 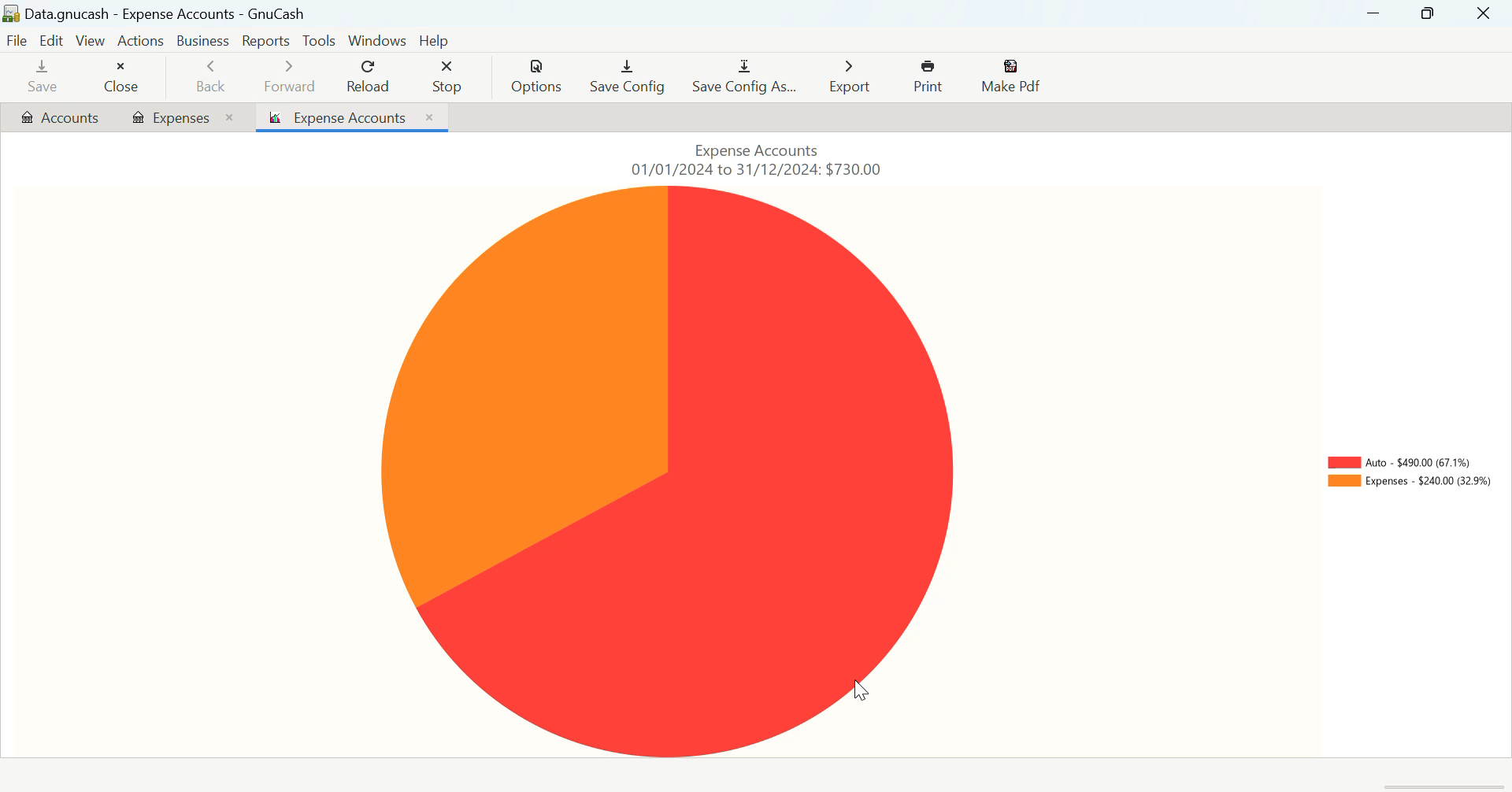 I want to click on Print, so click(x=930, y=77).